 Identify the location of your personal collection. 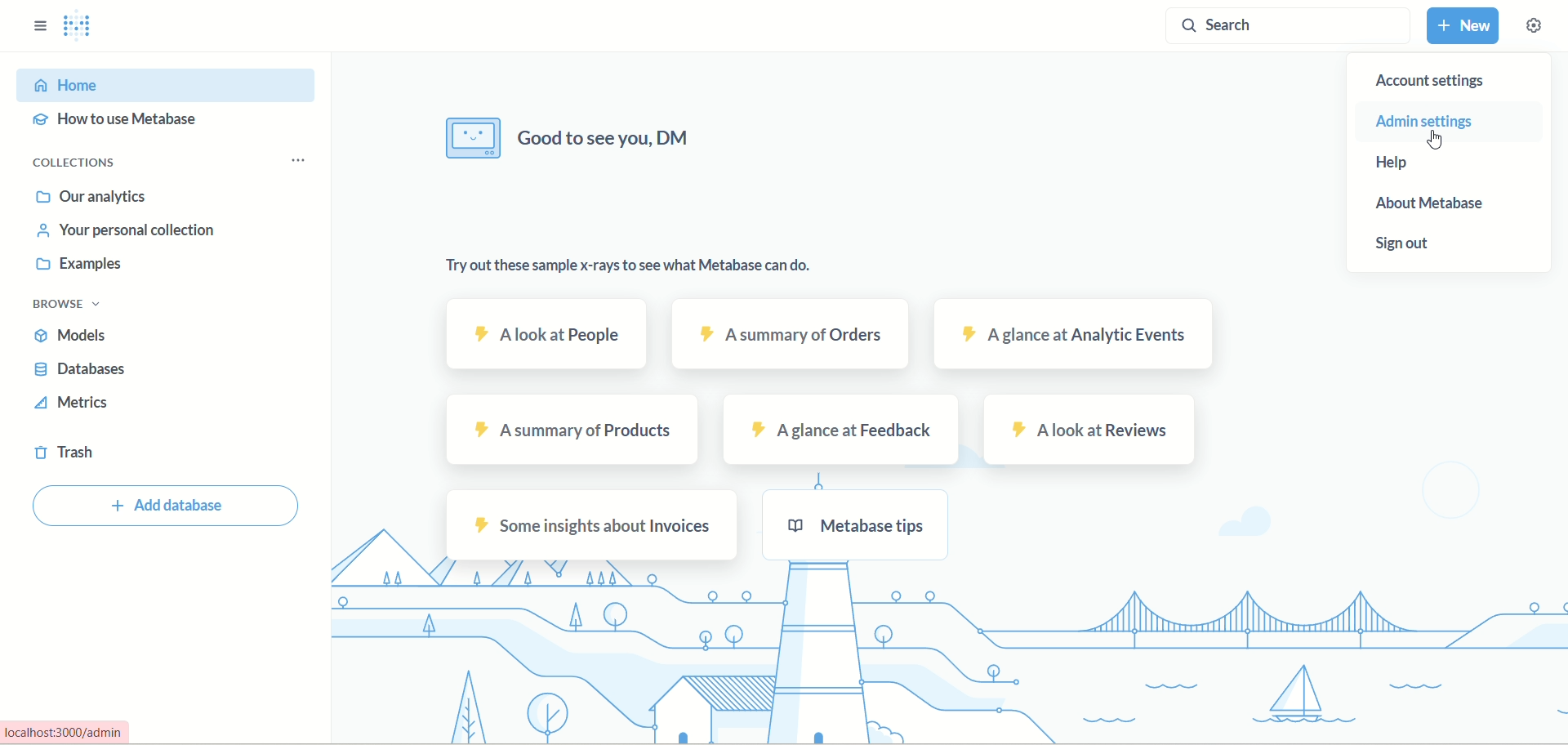
(121, 229).